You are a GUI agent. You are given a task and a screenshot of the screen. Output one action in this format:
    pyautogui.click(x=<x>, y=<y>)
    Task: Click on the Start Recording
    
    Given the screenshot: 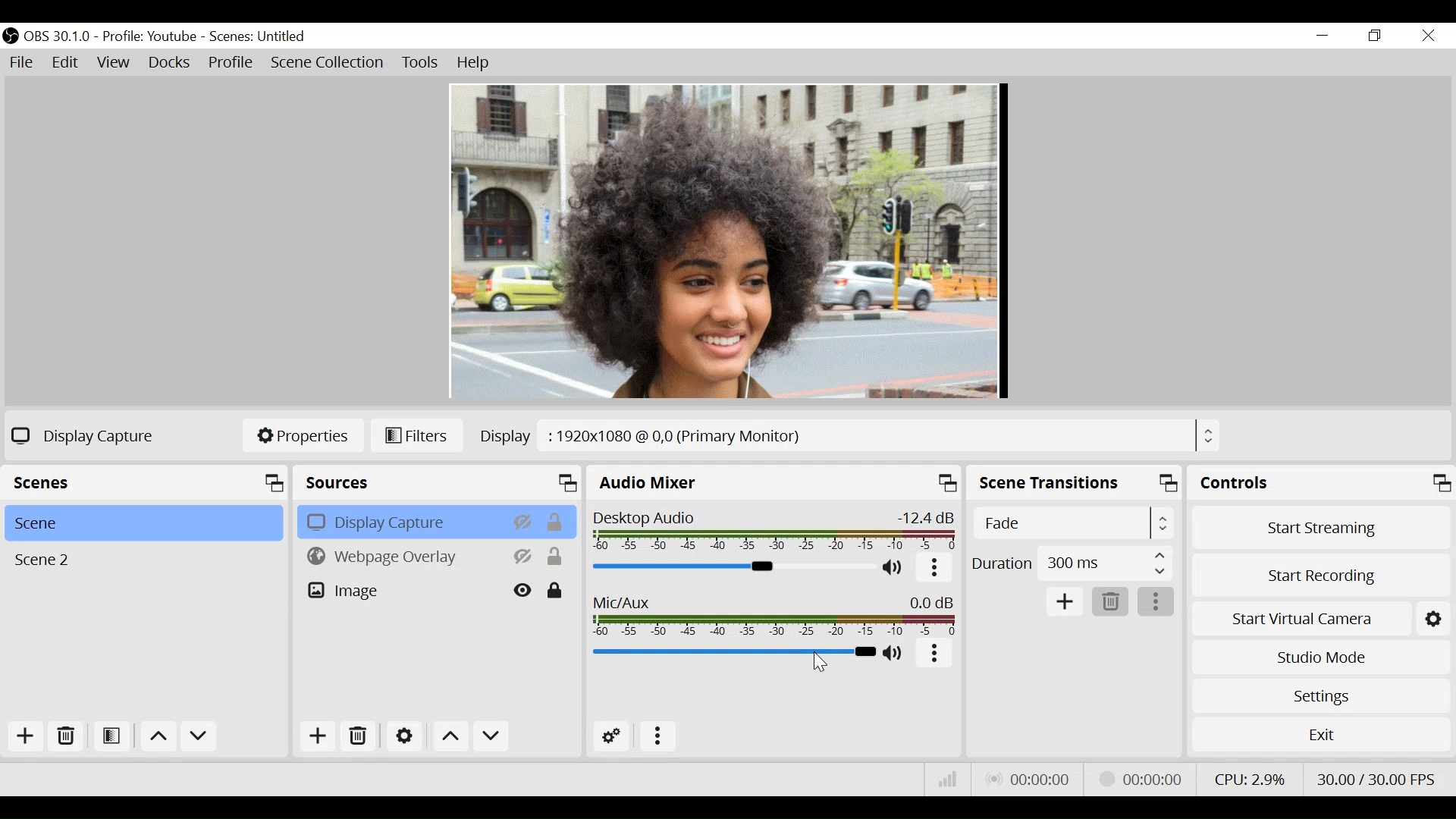 What is the action you would take?
    pyautogui.click(x=1318, y=578)
    